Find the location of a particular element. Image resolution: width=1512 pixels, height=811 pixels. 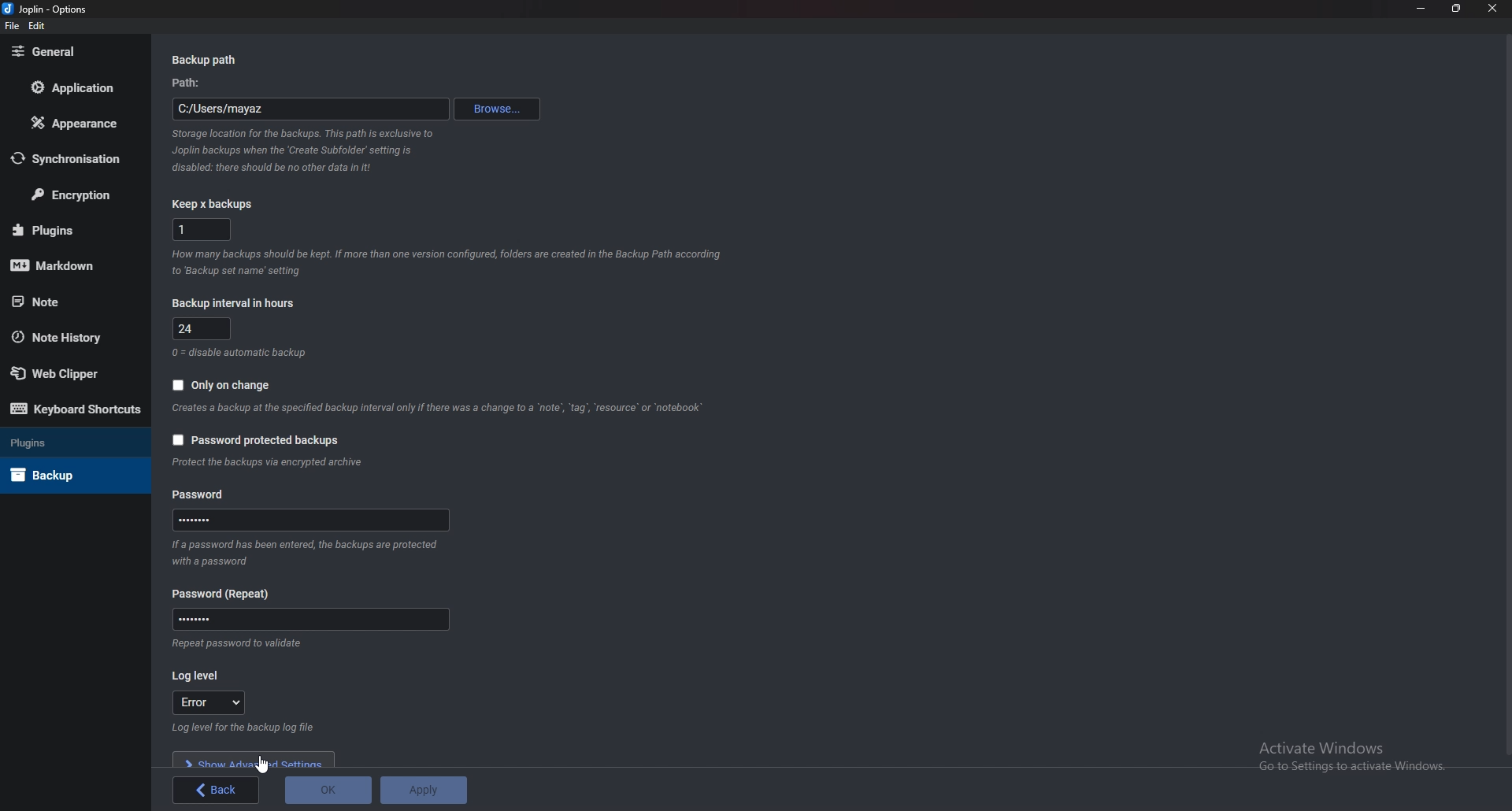

Application is located at coordinates (80, 87).